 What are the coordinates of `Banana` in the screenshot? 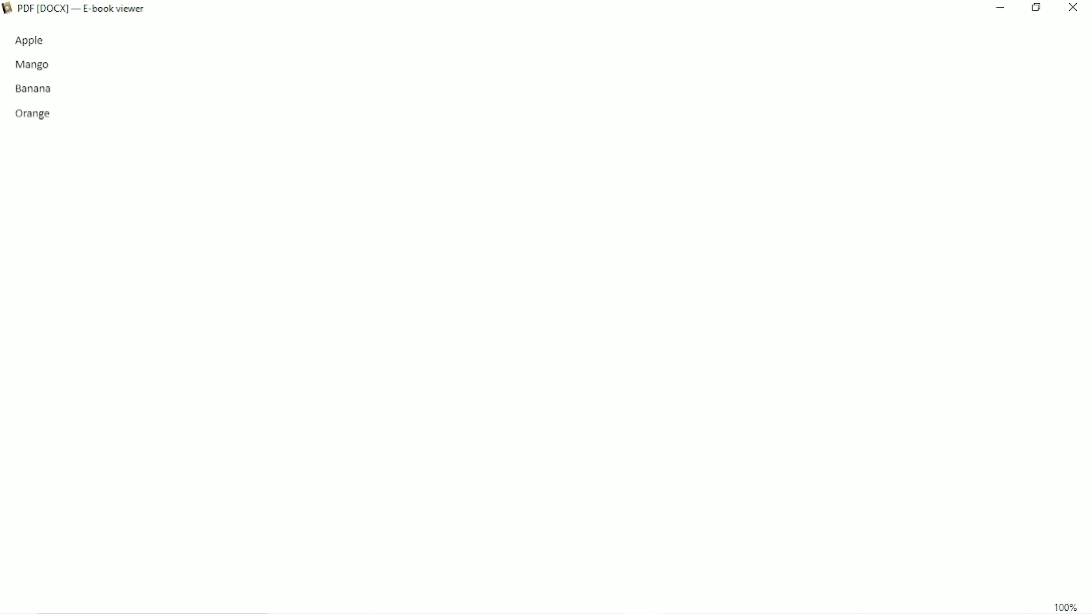 It's located at (36, 88).